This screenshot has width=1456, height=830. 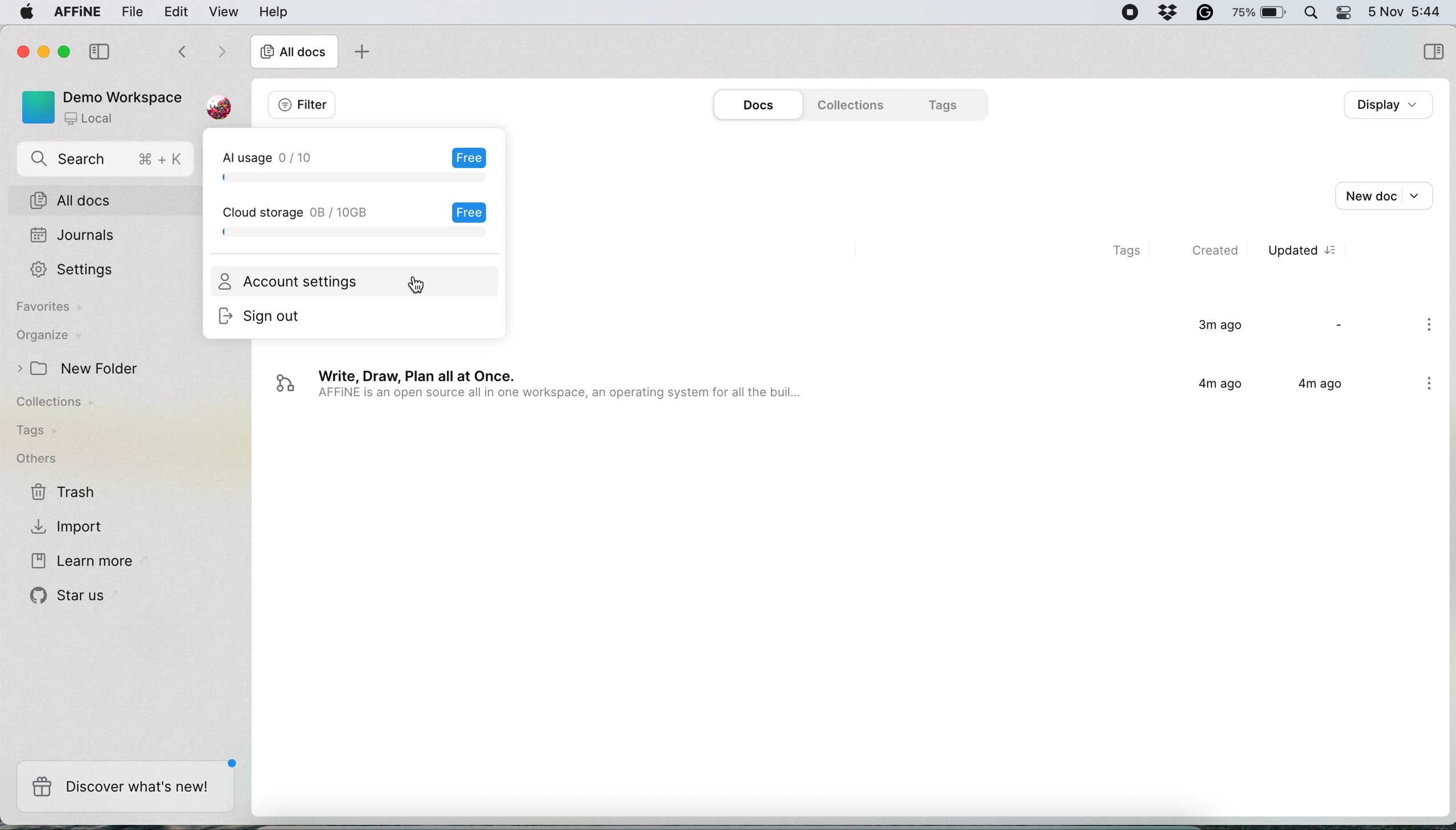 I want to click on profile, so click(x=216, y=103).